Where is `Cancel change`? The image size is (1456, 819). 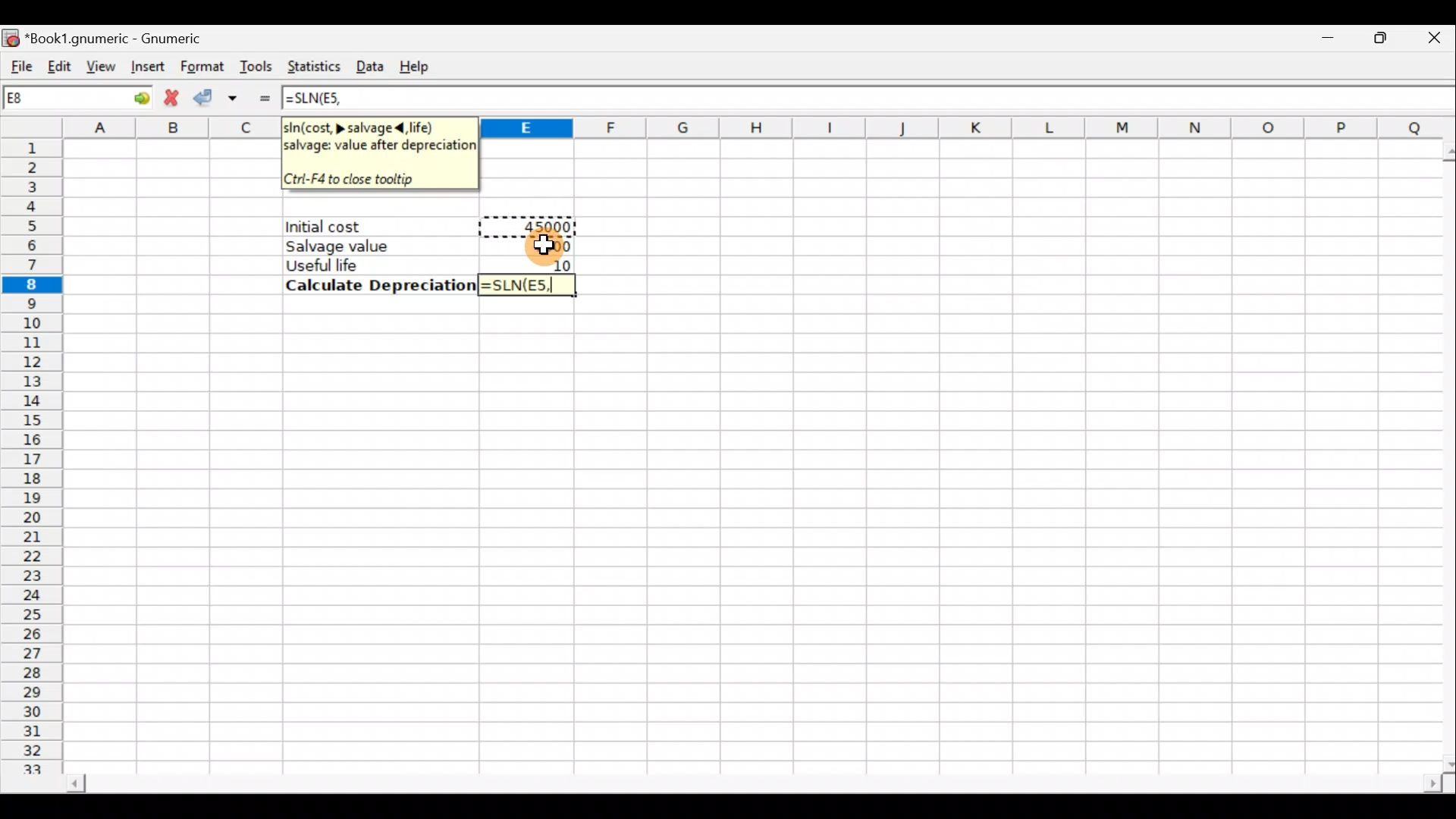
Cancel change is located at coordinates (172, 98).